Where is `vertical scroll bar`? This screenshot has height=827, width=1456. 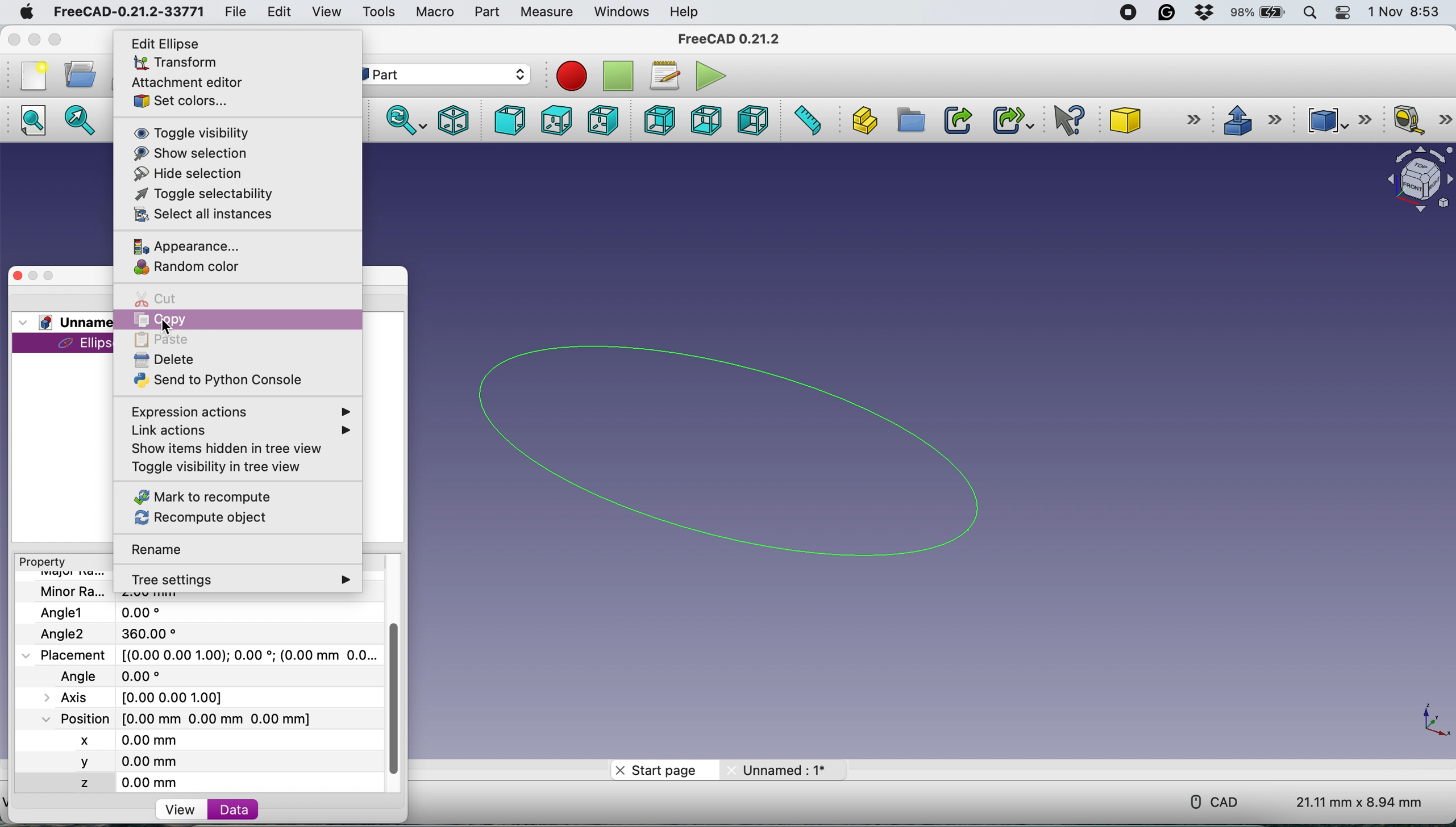
vertical scroll bar is located at coordinates (396, 697).